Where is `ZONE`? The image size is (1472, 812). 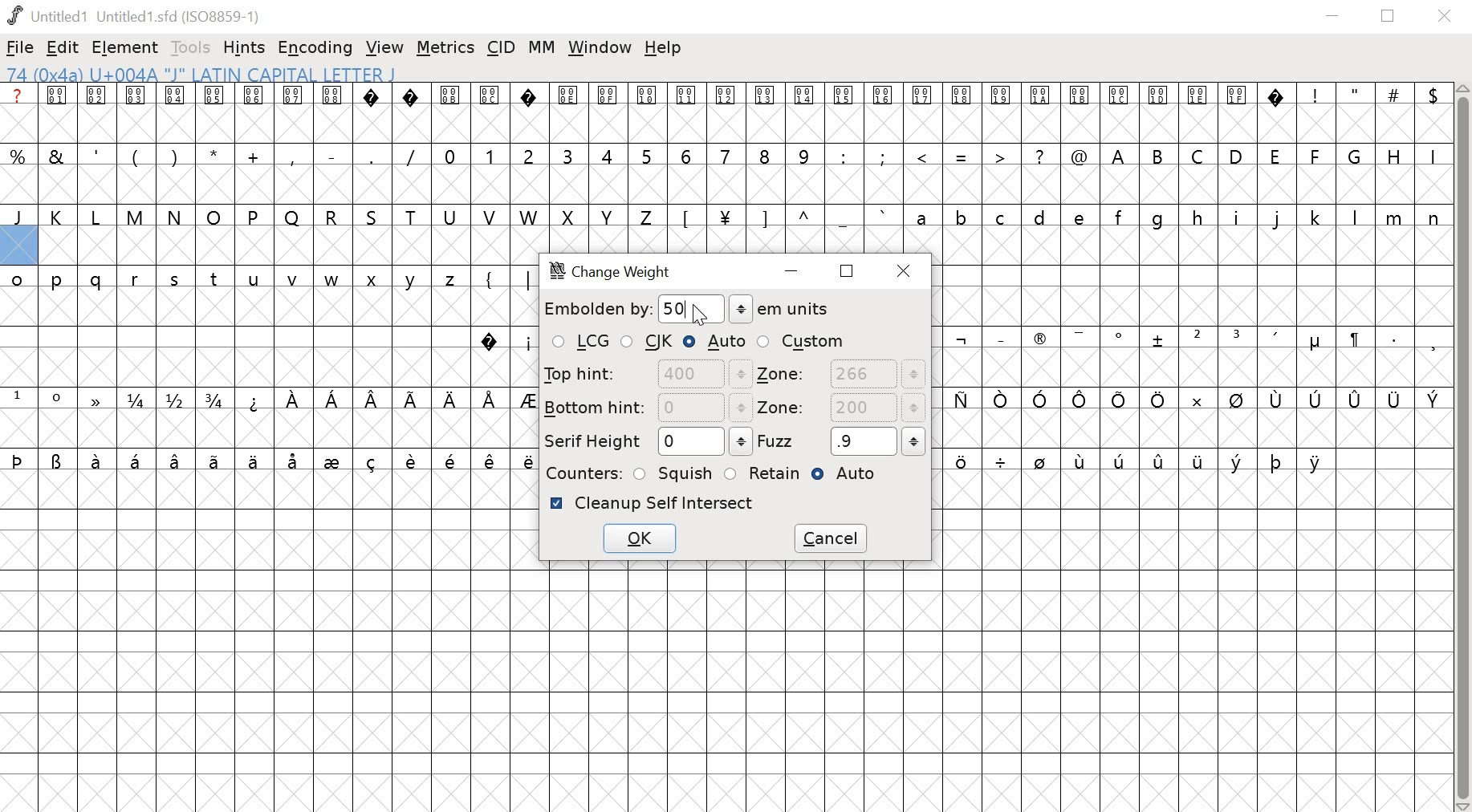 ZONE is located at coordinates (840, 409).